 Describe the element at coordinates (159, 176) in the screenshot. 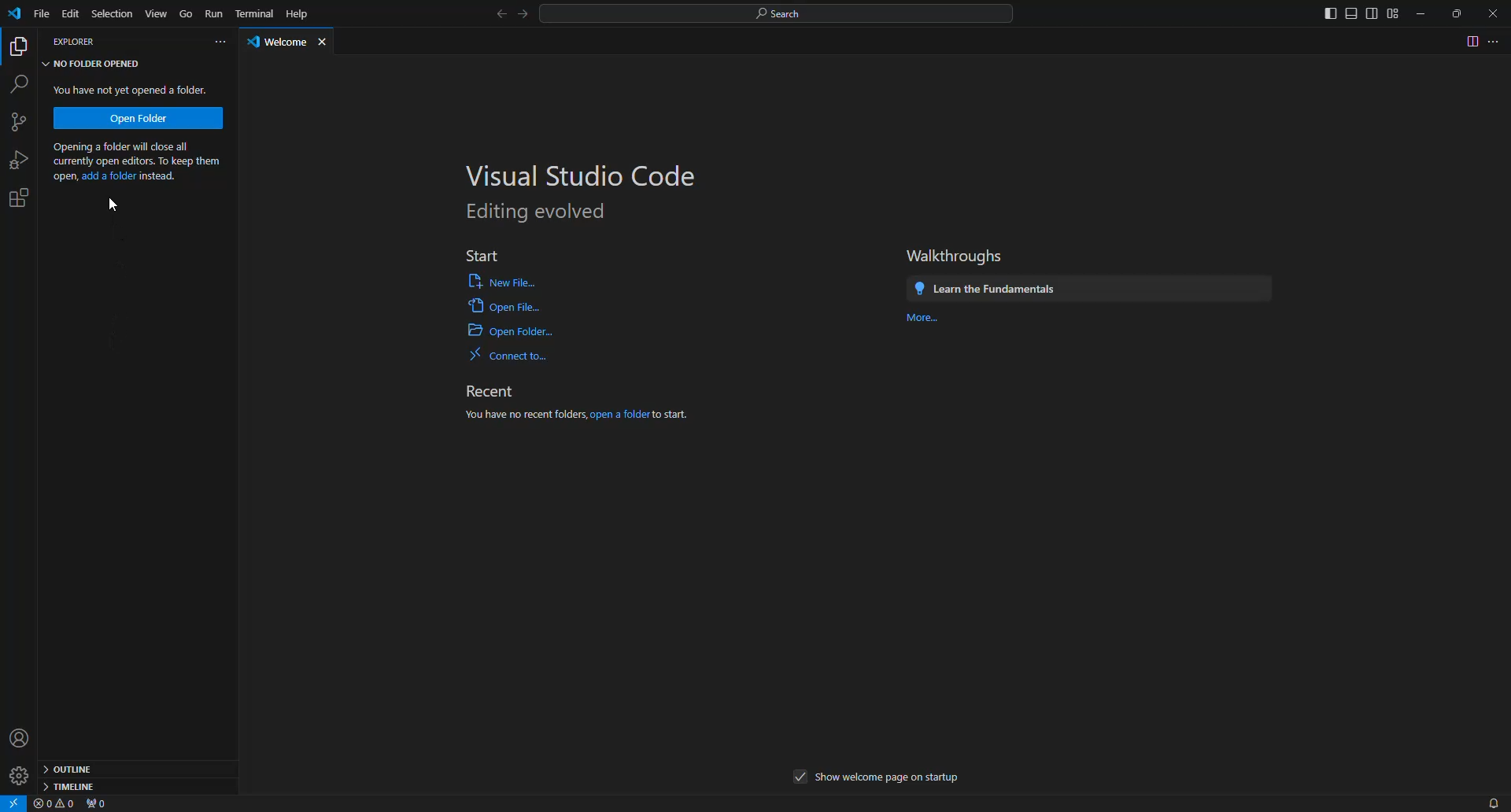

I see `instead` at that location.